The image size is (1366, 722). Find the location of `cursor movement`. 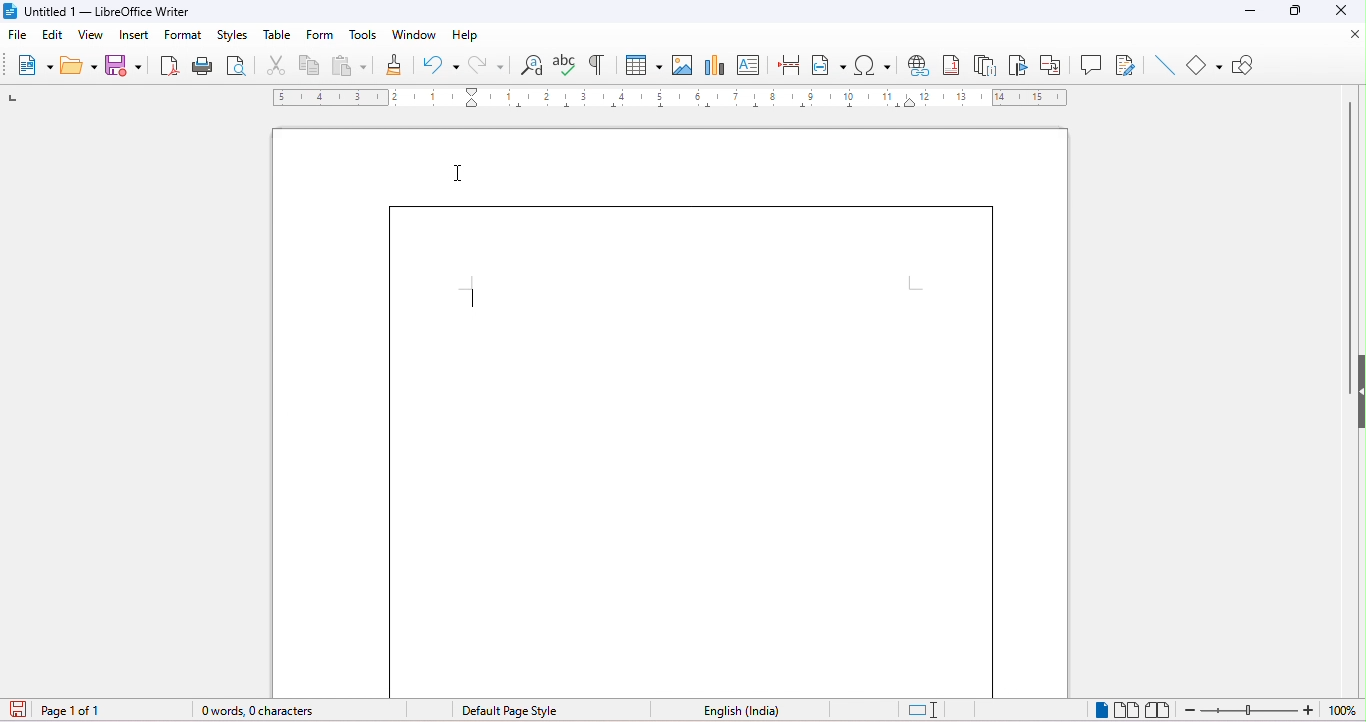

cursor movement is located at coordinates (460, 171).